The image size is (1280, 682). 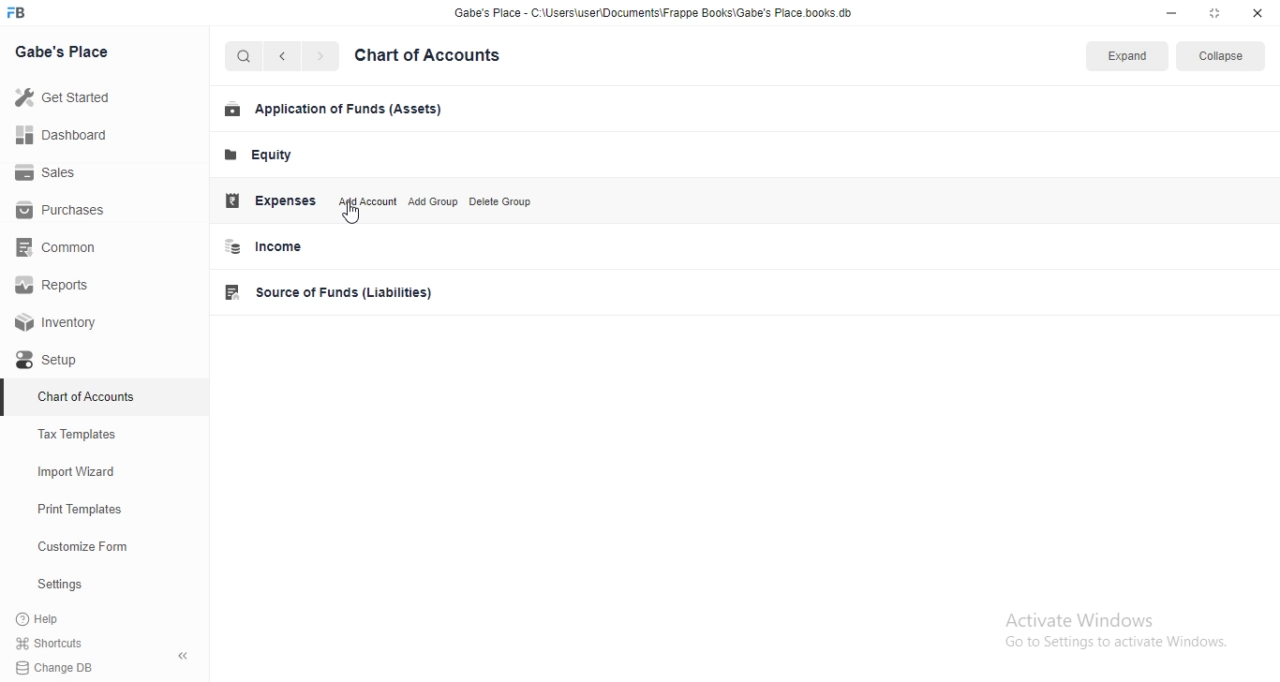 What do you see at coordinates (287, 59) in the screenshot?
I see `back` at bounding box center [287, 59].